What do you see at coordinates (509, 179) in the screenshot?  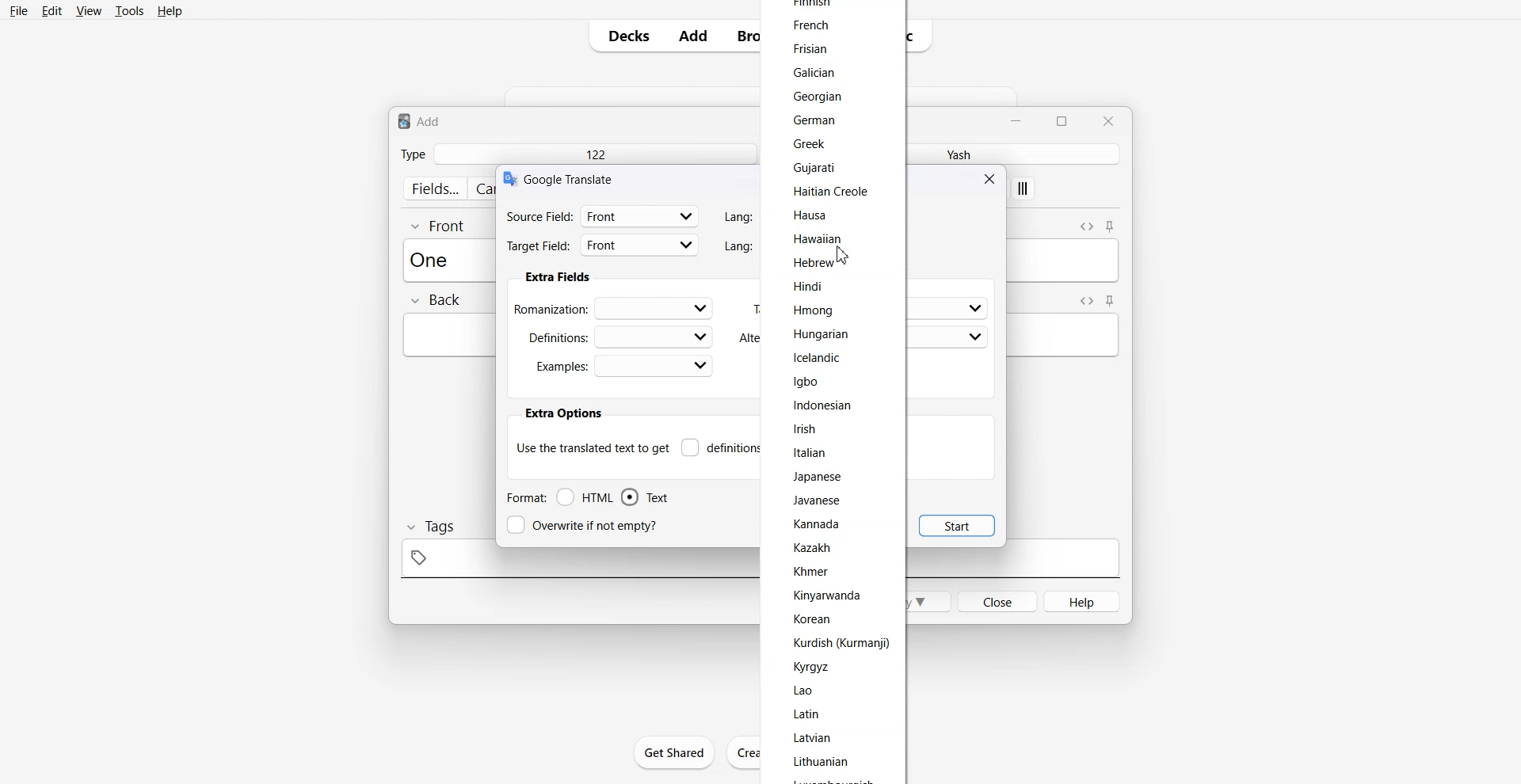 I see `logo` at bounding box center [509, 179].